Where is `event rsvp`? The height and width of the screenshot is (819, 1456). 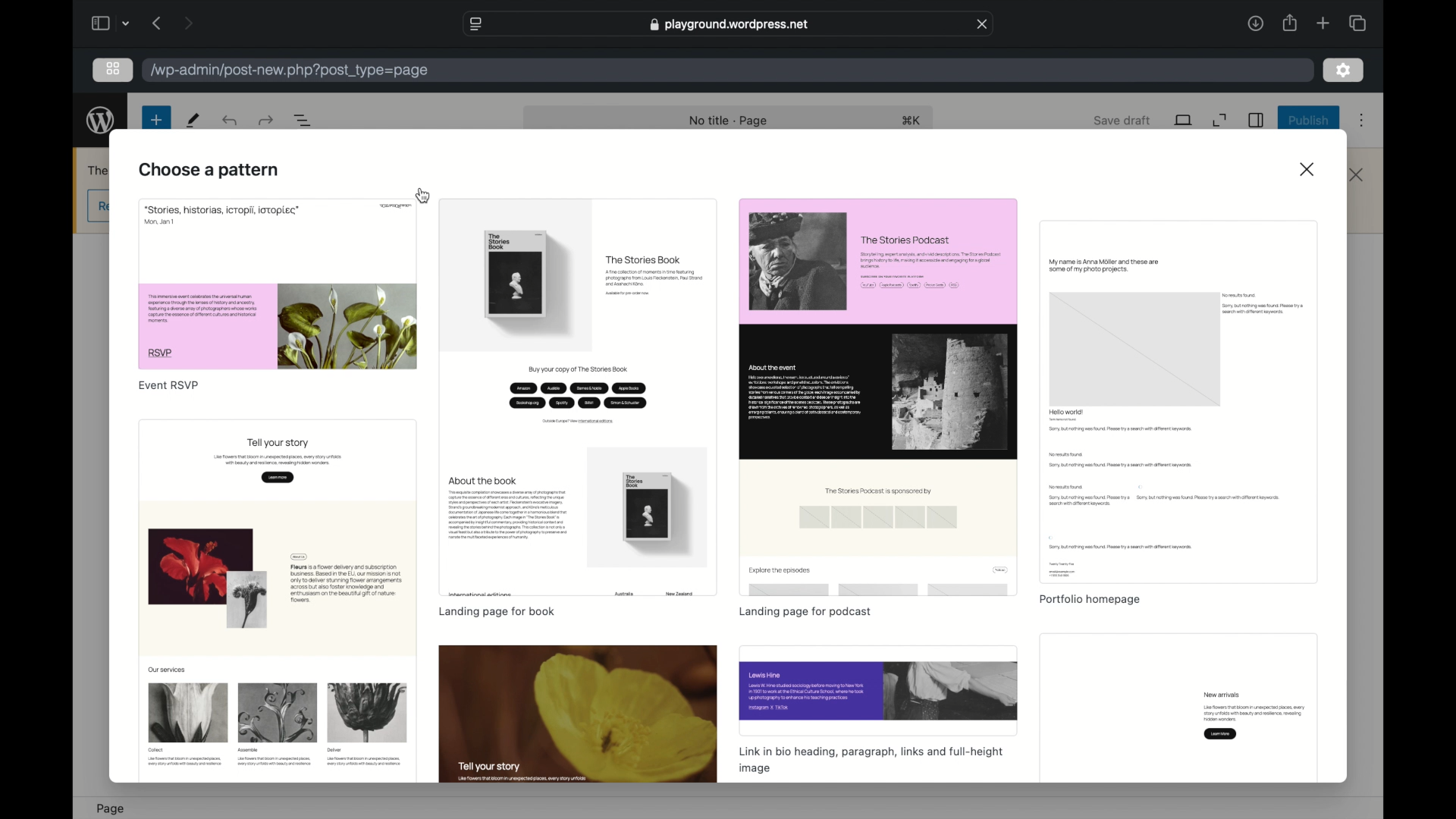 event rsvp is located at coordinates (169, 385).